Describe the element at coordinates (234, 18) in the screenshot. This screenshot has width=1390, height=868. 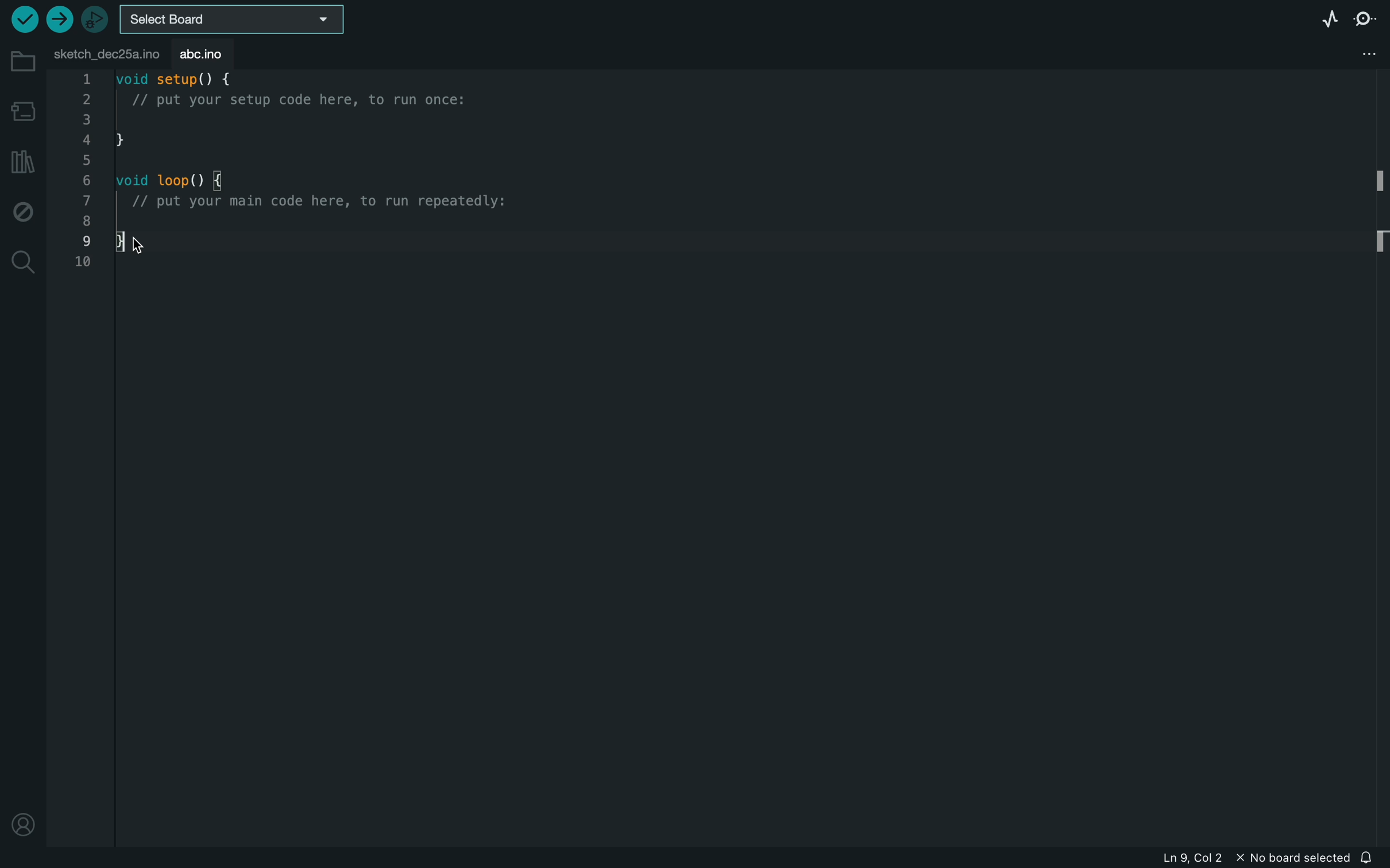
I see `board selecter` at that location.